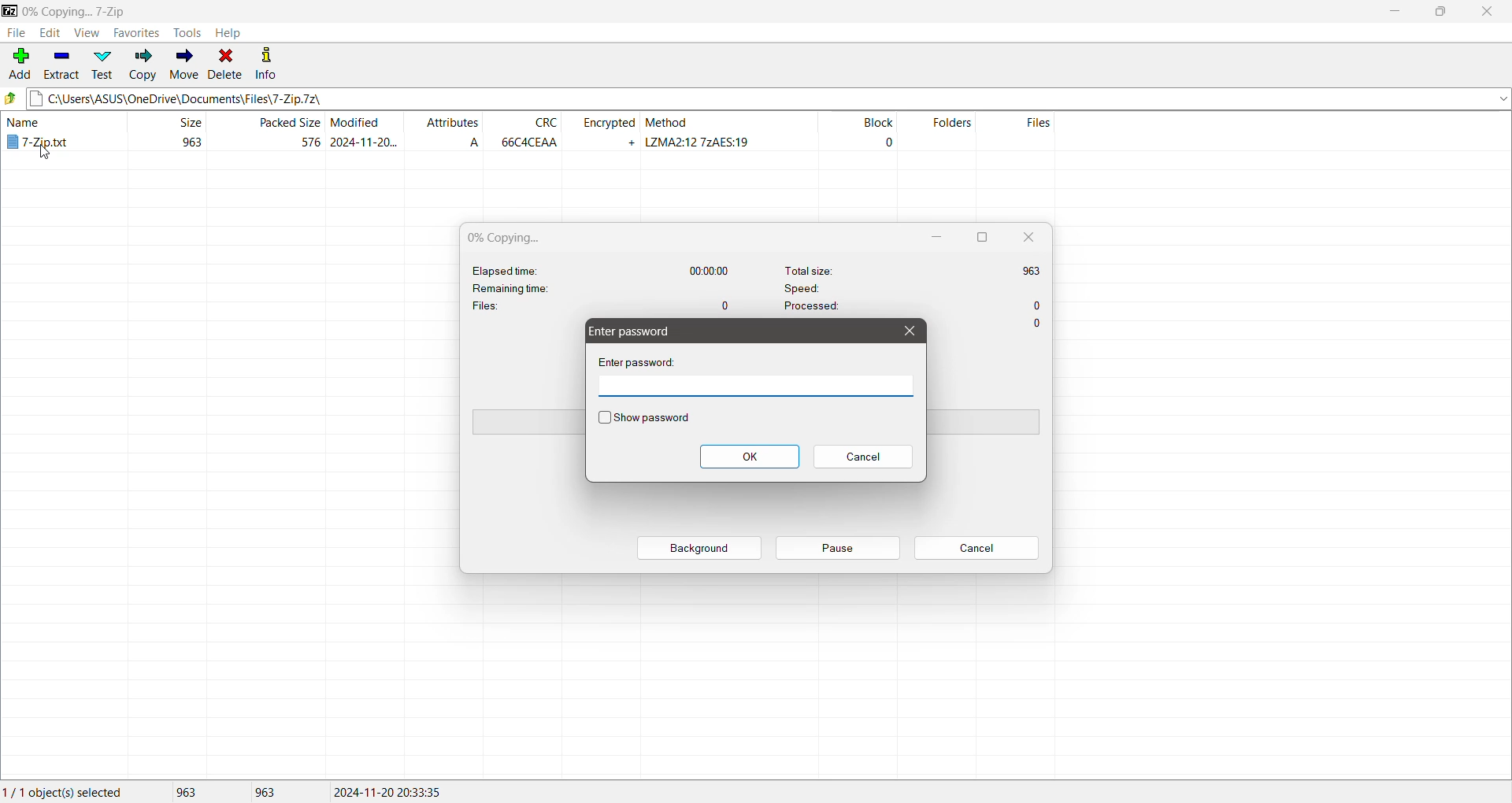 The height and width of the screenshot is (803, 1512). What do you see at coordinates (14, 33) in the screenshot?
I see `File` at bounding box center [14, 33].